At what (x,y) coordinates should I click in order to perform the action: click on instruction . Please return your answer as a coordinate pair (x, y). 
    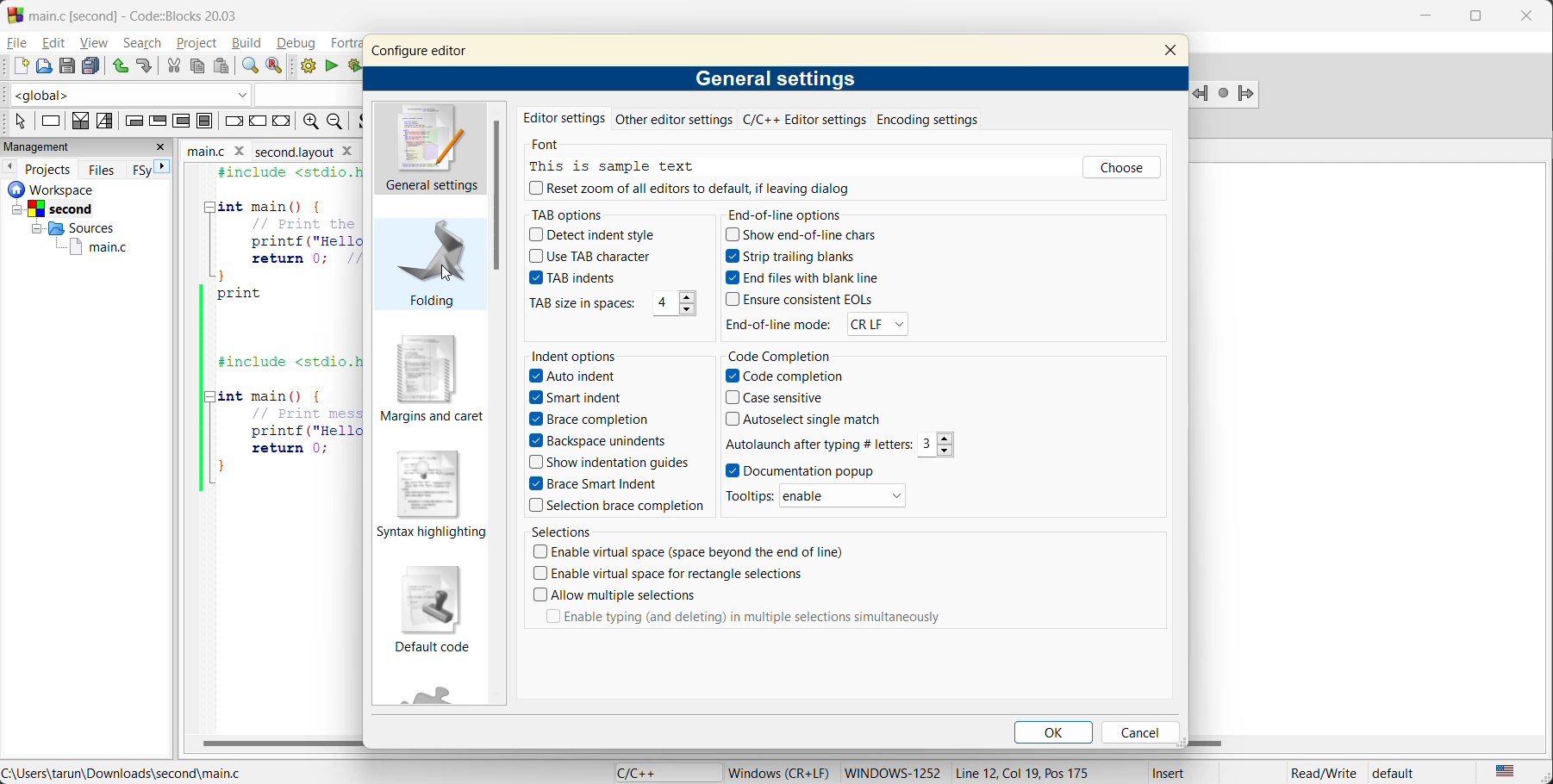
    Looking at the image, I should click on (52, 121).